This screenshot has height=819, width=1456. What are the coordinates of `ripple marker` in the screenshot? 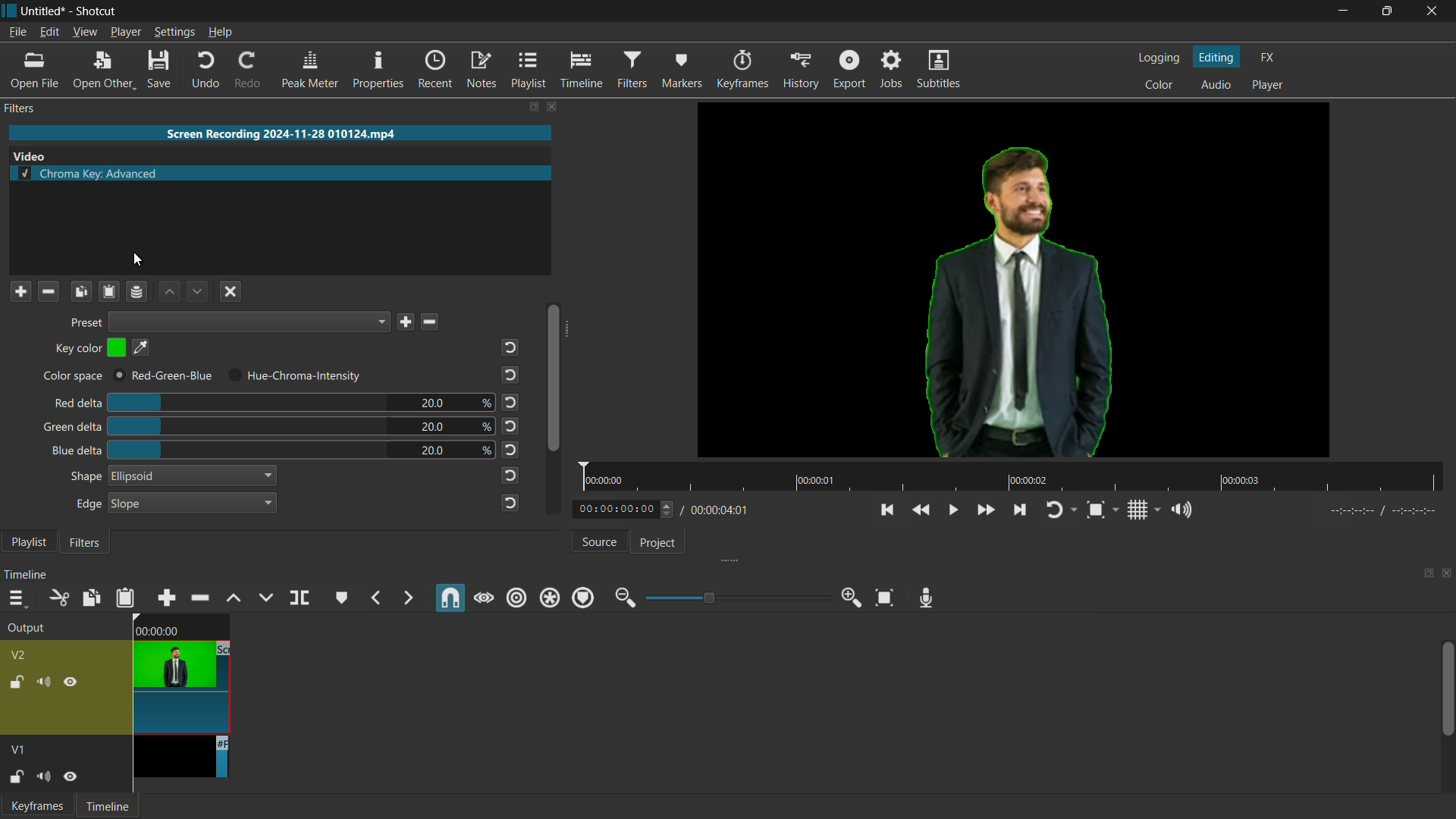 It's located at (582, 598).